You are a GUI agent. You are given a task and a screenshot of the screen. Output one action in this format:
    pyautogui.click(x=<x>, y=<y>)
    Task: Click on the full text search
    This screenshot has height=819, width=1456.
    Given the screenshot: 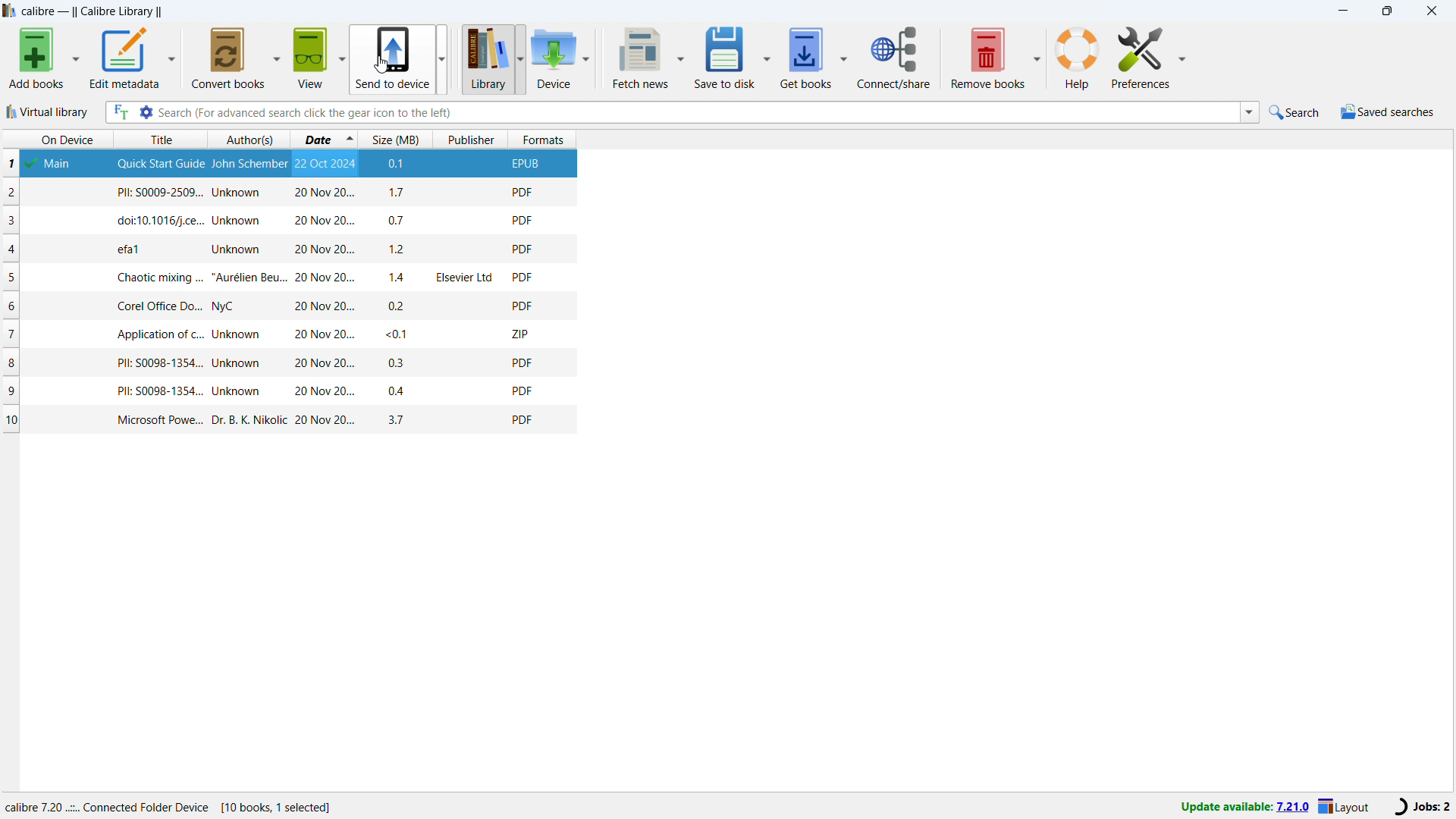 What is the action you would take?
    pyautogui.click(x=118, y=112)
    